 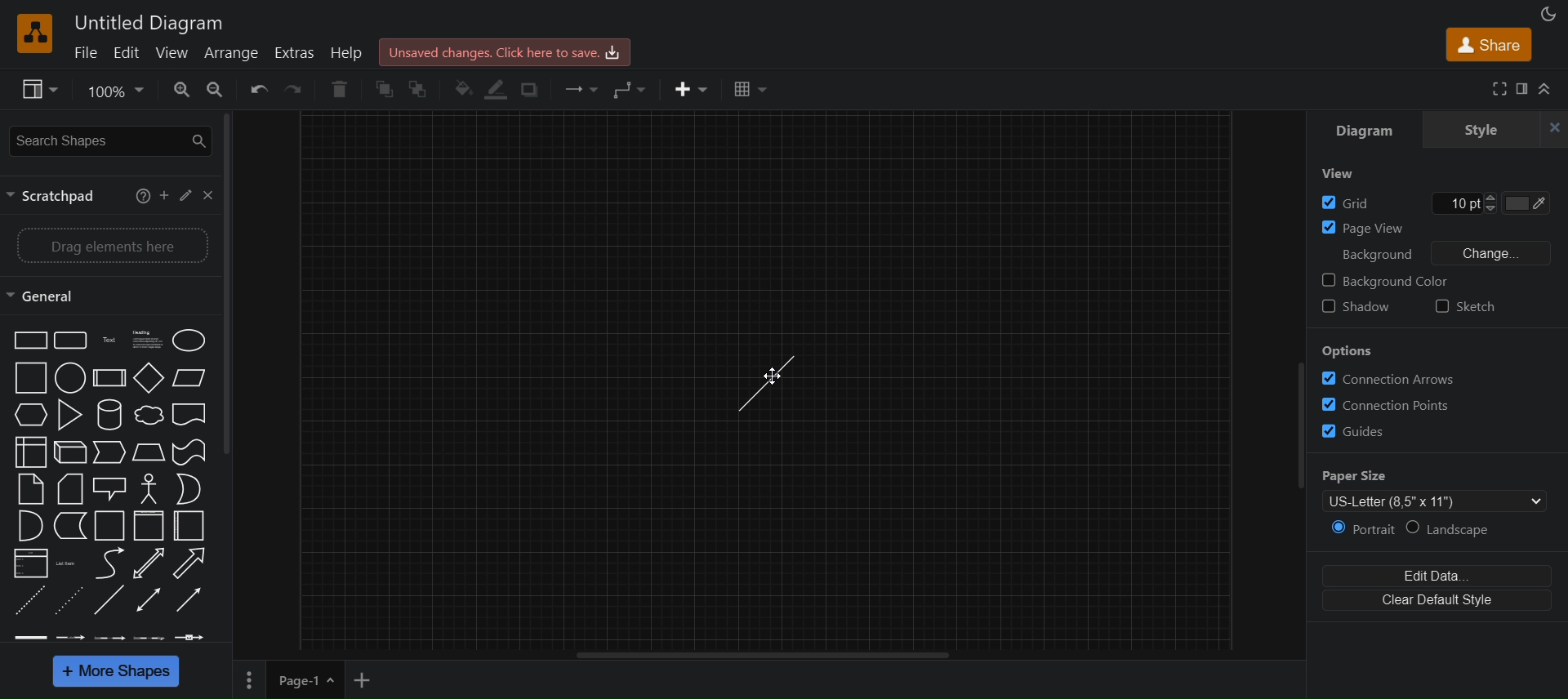 What do you see at coordinates (149, 488) in the screenshot?
I see `Actor` at bounding box center [149, 488].